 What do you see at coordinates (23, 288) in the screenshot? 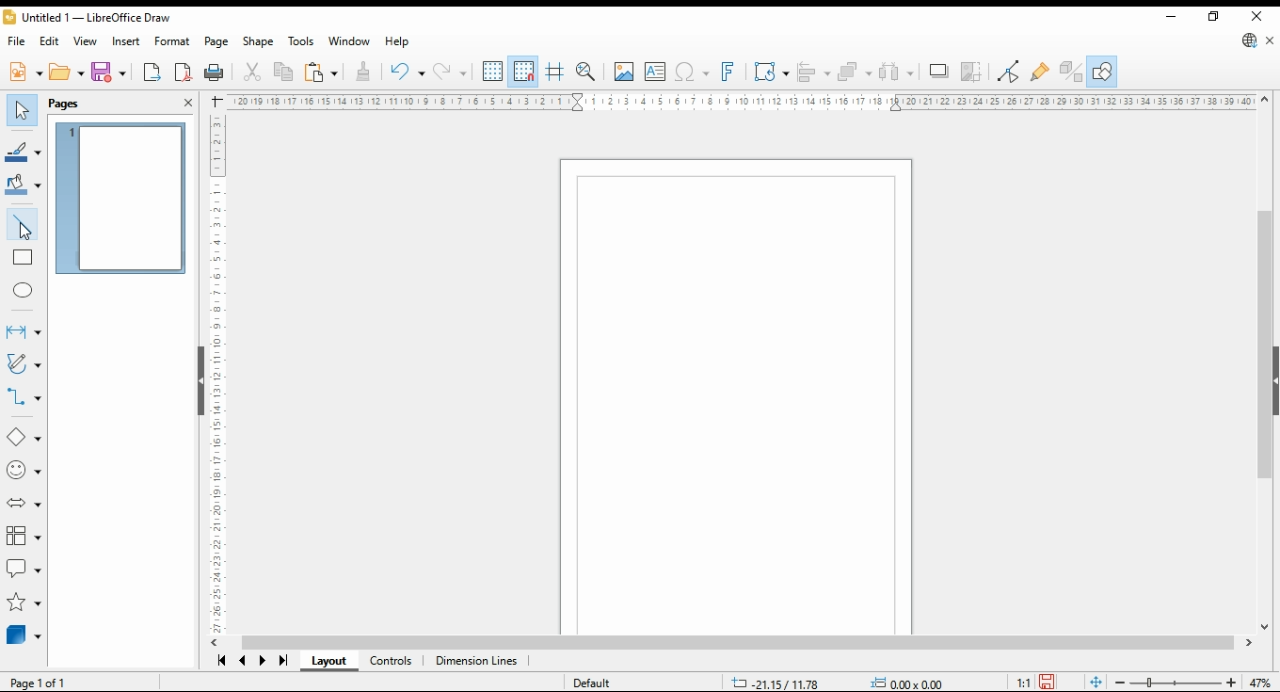
I see `ellipse` at bounding box center [23, 288].